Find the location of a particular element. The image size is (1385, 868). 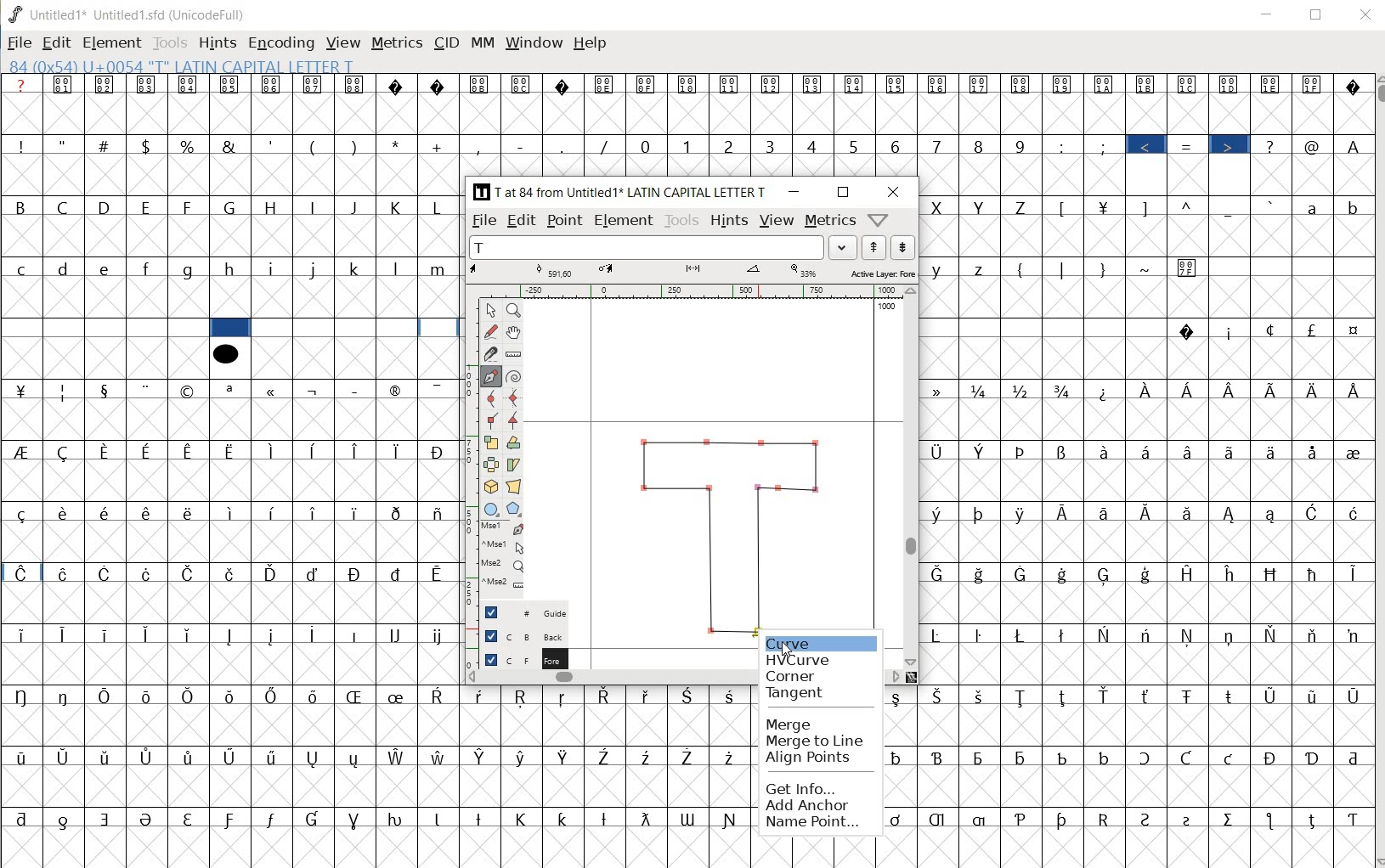

Symbol is located at coordinates (1351, 390).